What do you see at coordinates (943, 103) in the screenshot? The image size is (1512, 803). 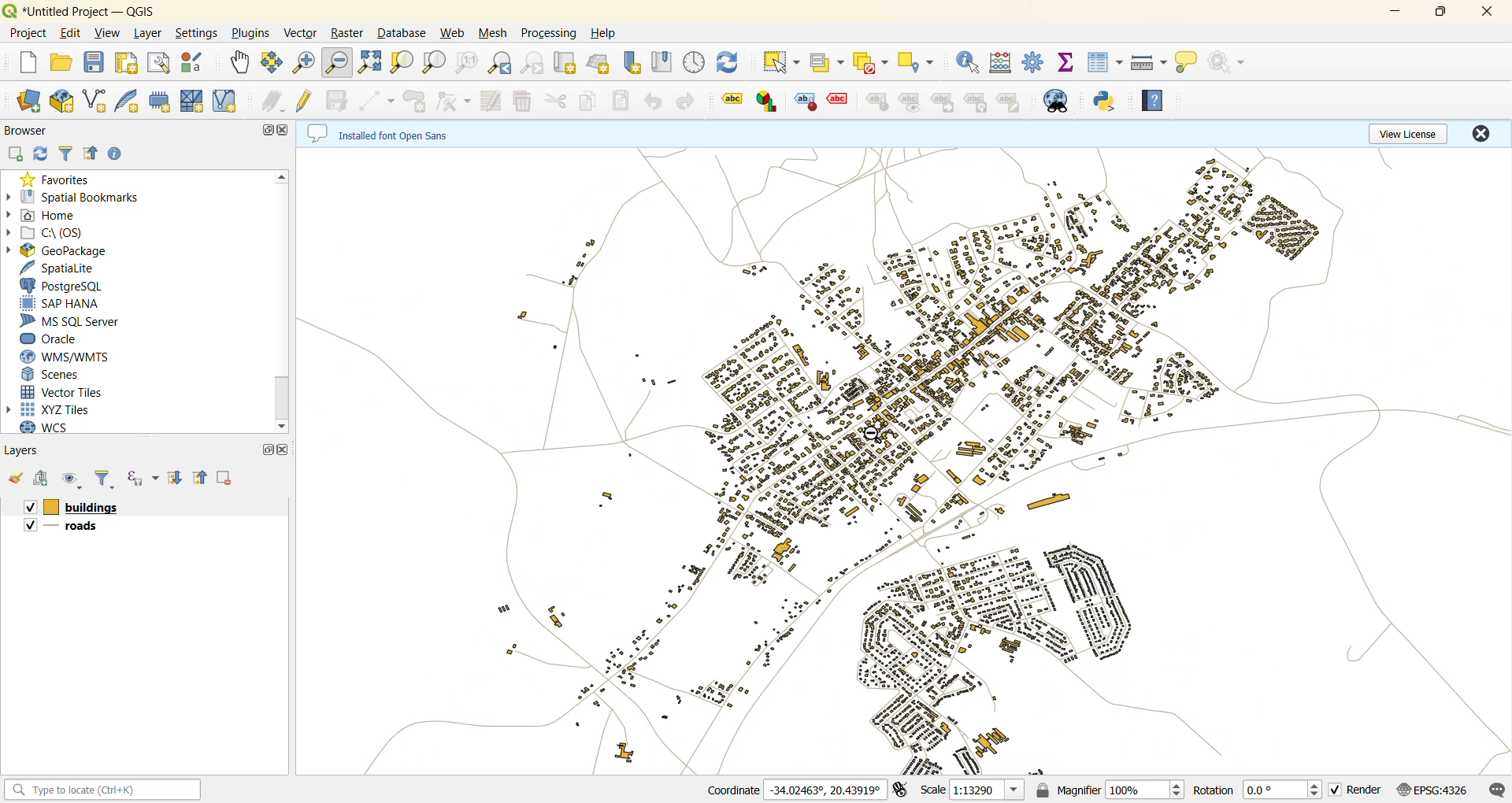 I see `label` at bounding box center [943, 103].